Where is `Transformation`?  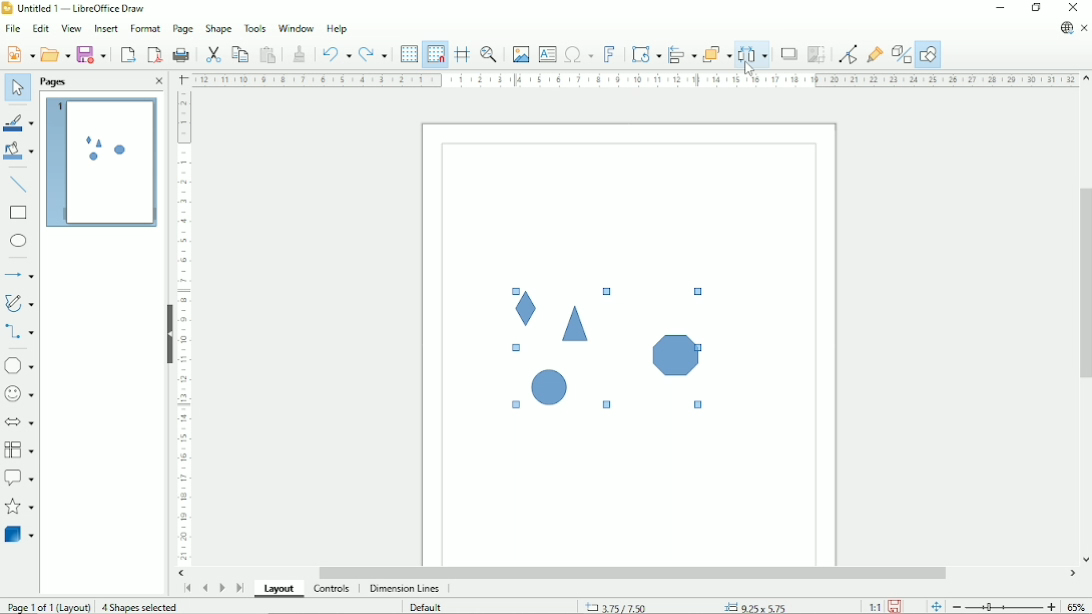
Transformation is located at coordinates (646, 54).